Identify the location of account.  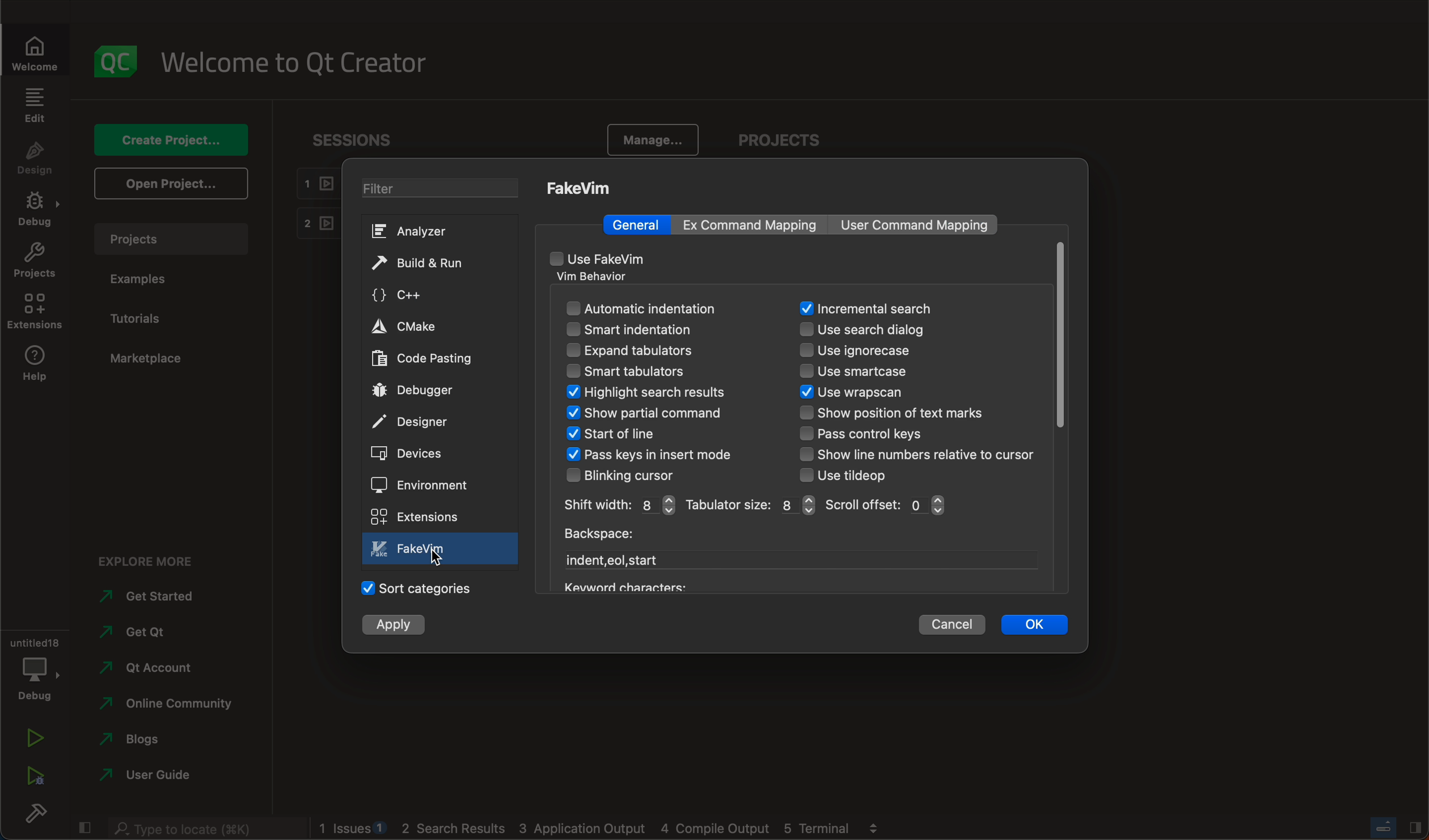
(162, 668).